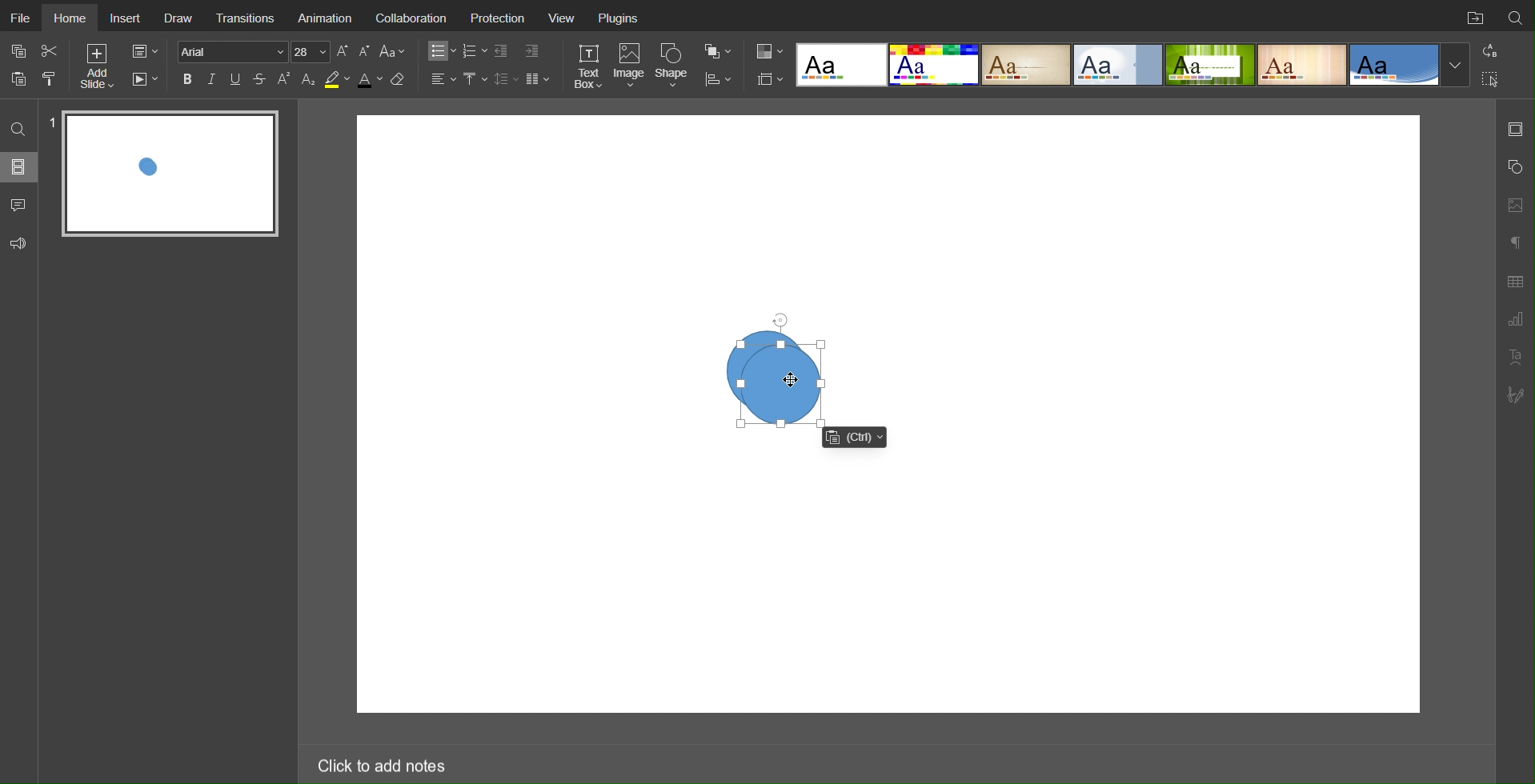 This screenshot has height=784, width=1535. What do you see at coordinates (781, 318) in the screenshot?
I see `Rotate` at bounding box center [781, 318].